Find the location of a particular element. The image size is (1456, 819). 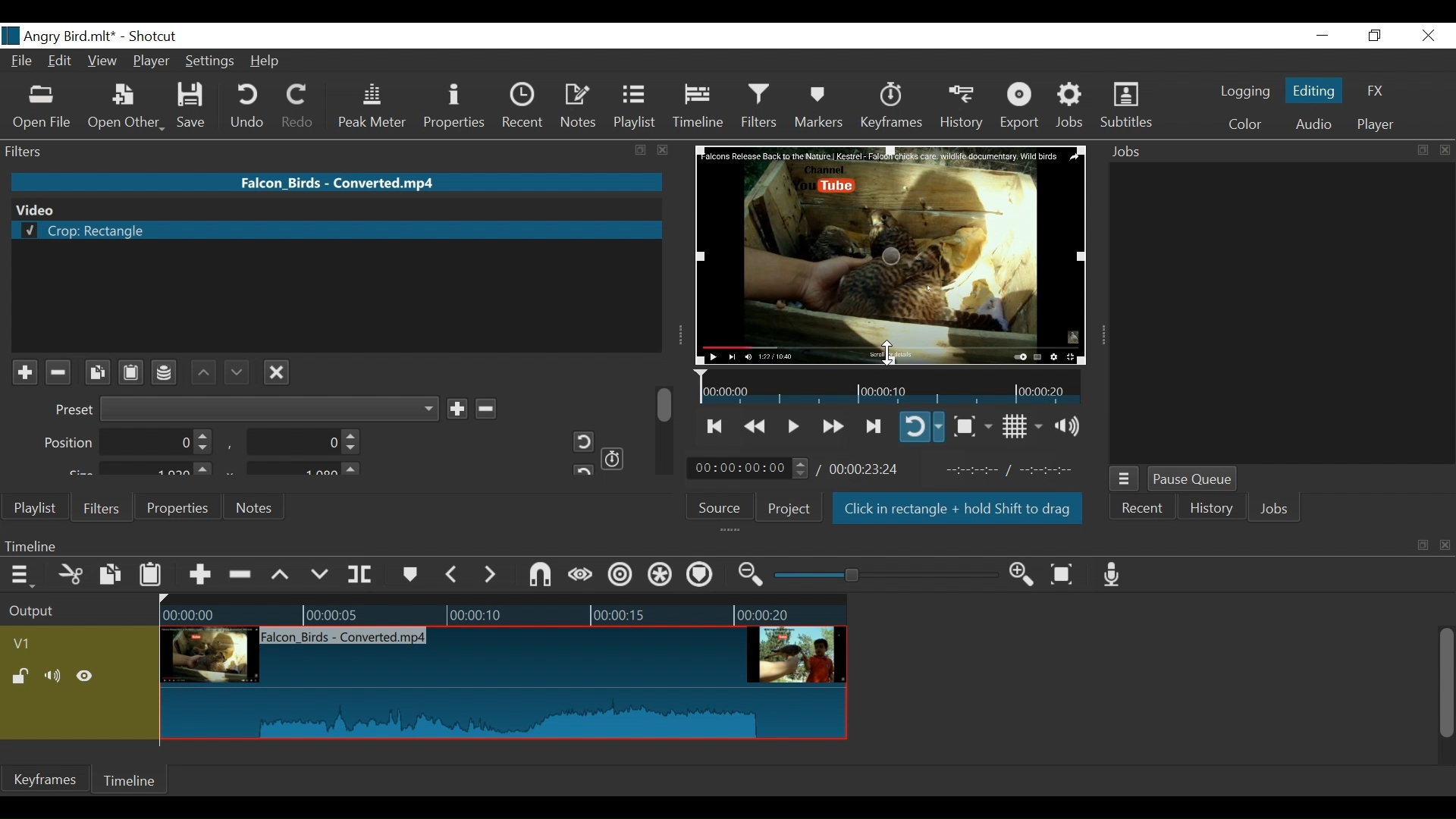

Player is located at coordinates (1376, 125).